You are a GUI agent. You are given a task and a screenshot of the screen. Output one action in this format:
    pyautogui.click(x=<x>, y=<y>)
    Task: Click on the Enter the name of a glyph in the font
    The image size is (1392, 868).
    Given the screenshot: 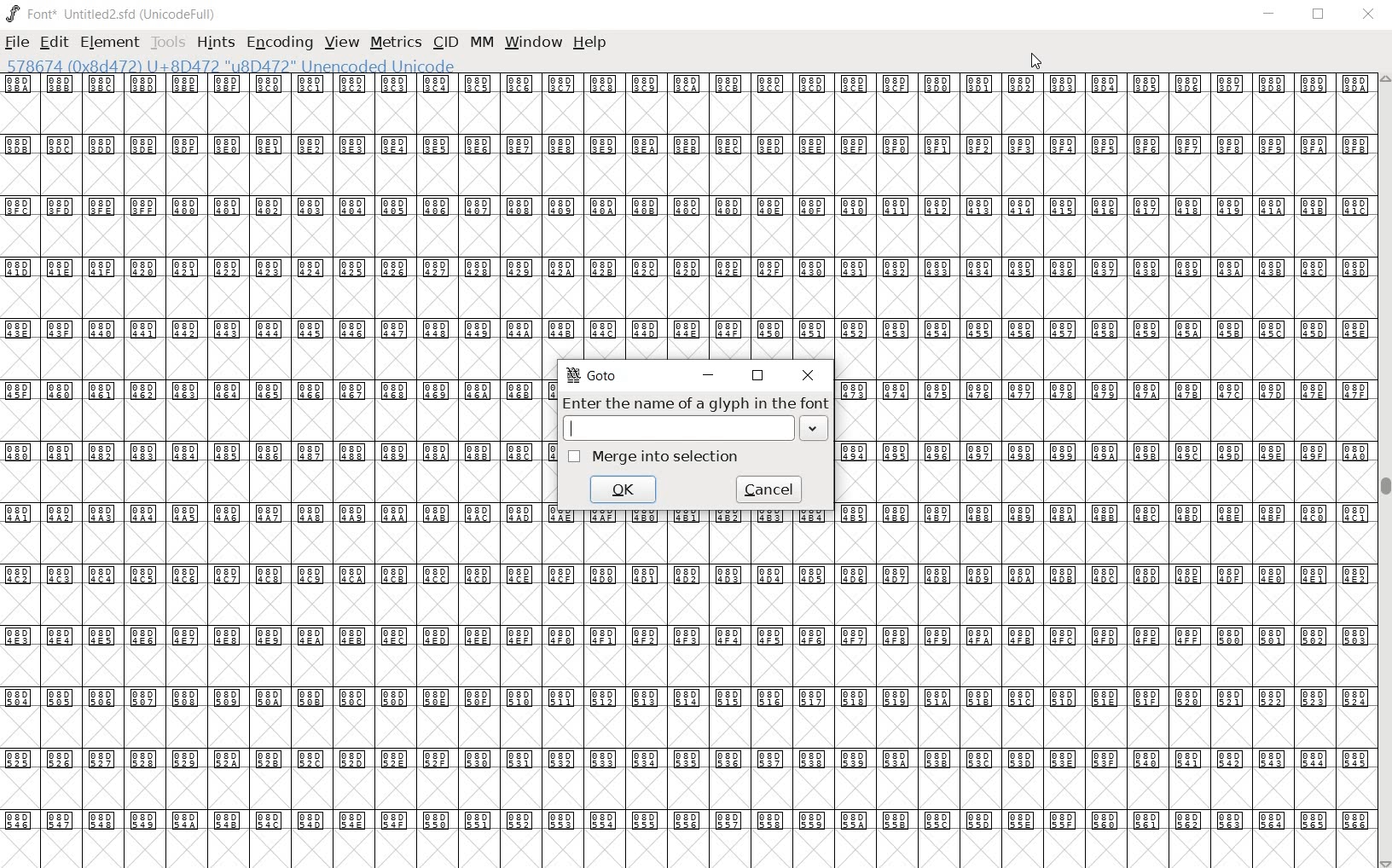 What is the action you would take?
    pyautogui.click(x=692, y=404)
    